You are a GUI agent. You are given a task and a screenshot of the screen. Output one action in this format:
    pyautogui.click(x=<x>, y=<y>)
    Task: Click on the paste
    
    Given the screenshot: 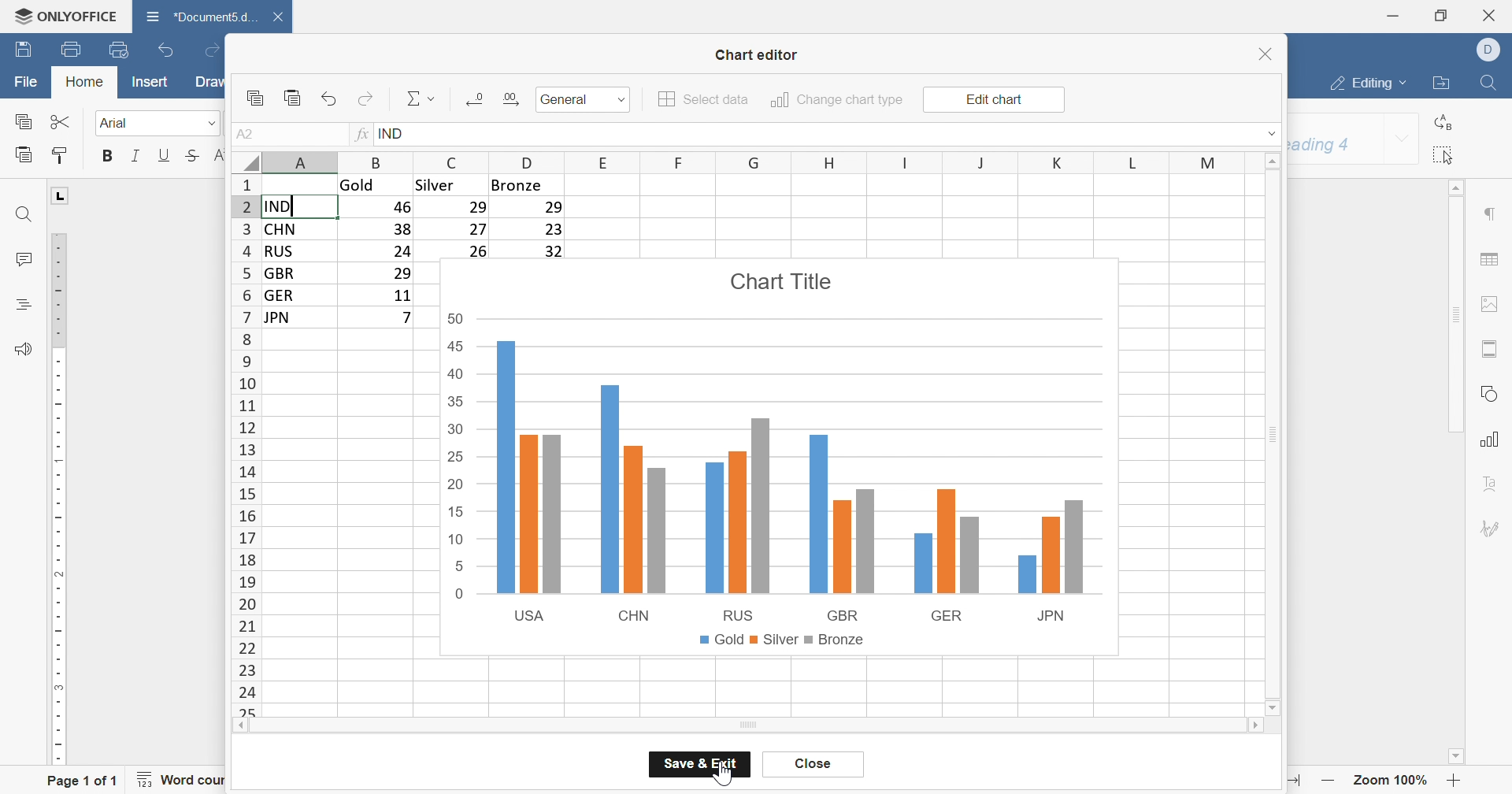 What is the action you would take?
    pyautogui.click(x=293, y=97)
    